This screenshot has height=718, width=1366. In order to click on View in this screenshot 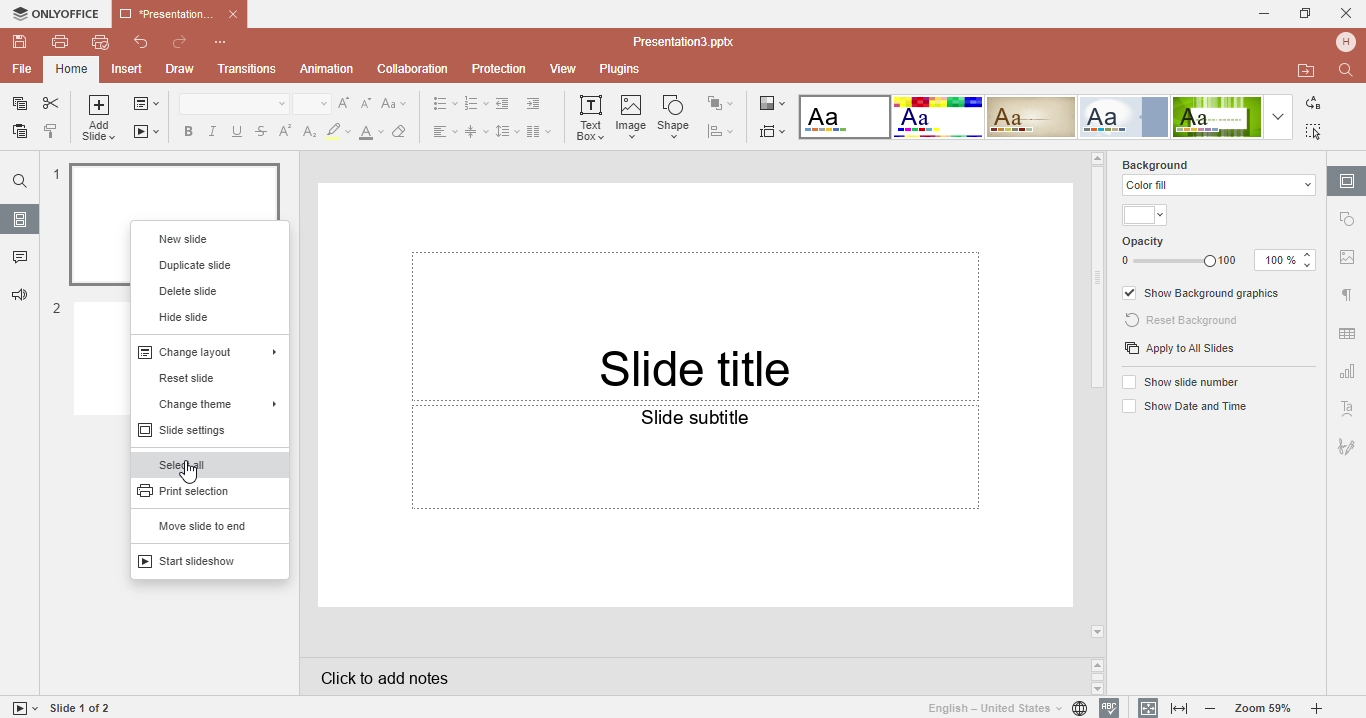, I will do `click(566, 70)`.